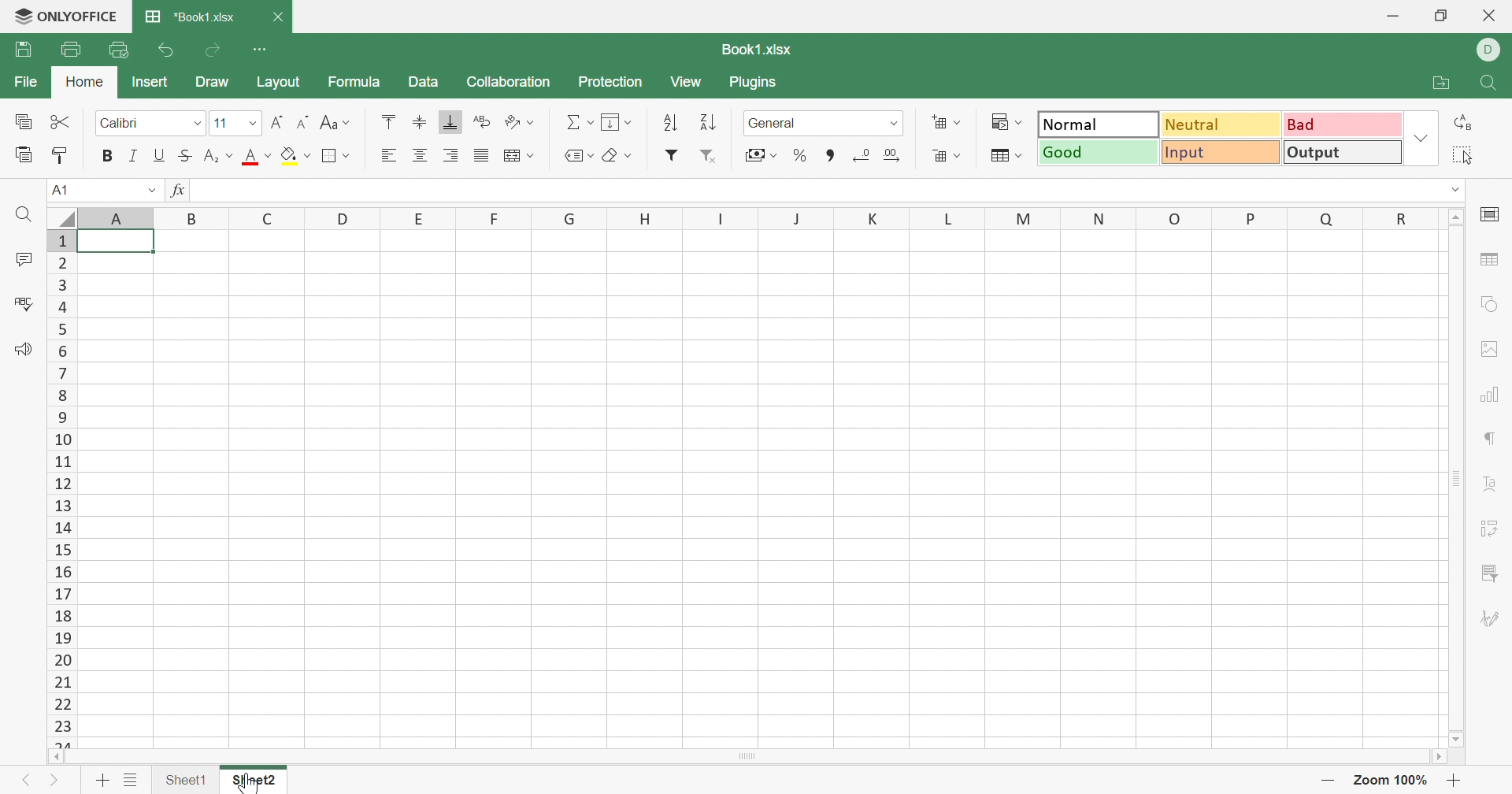 The image size is (1512, 794). What do you see at coordinates (895, 123) in the screenshot?
I see `Drop Down` at bounding box center [895, 123].